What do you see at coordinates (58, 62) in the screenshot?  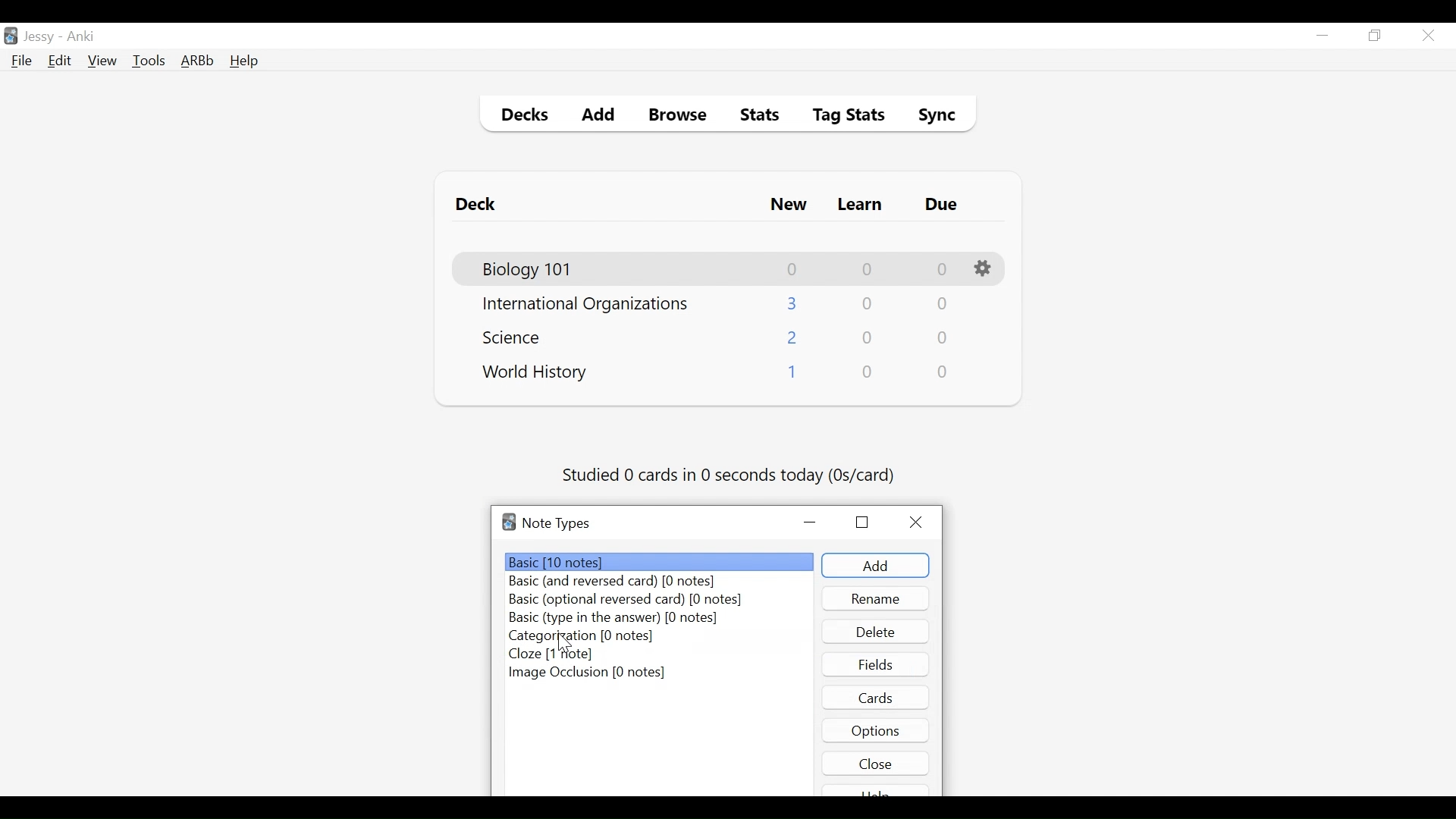 I see `Edit` at bounding box center [58, 62].